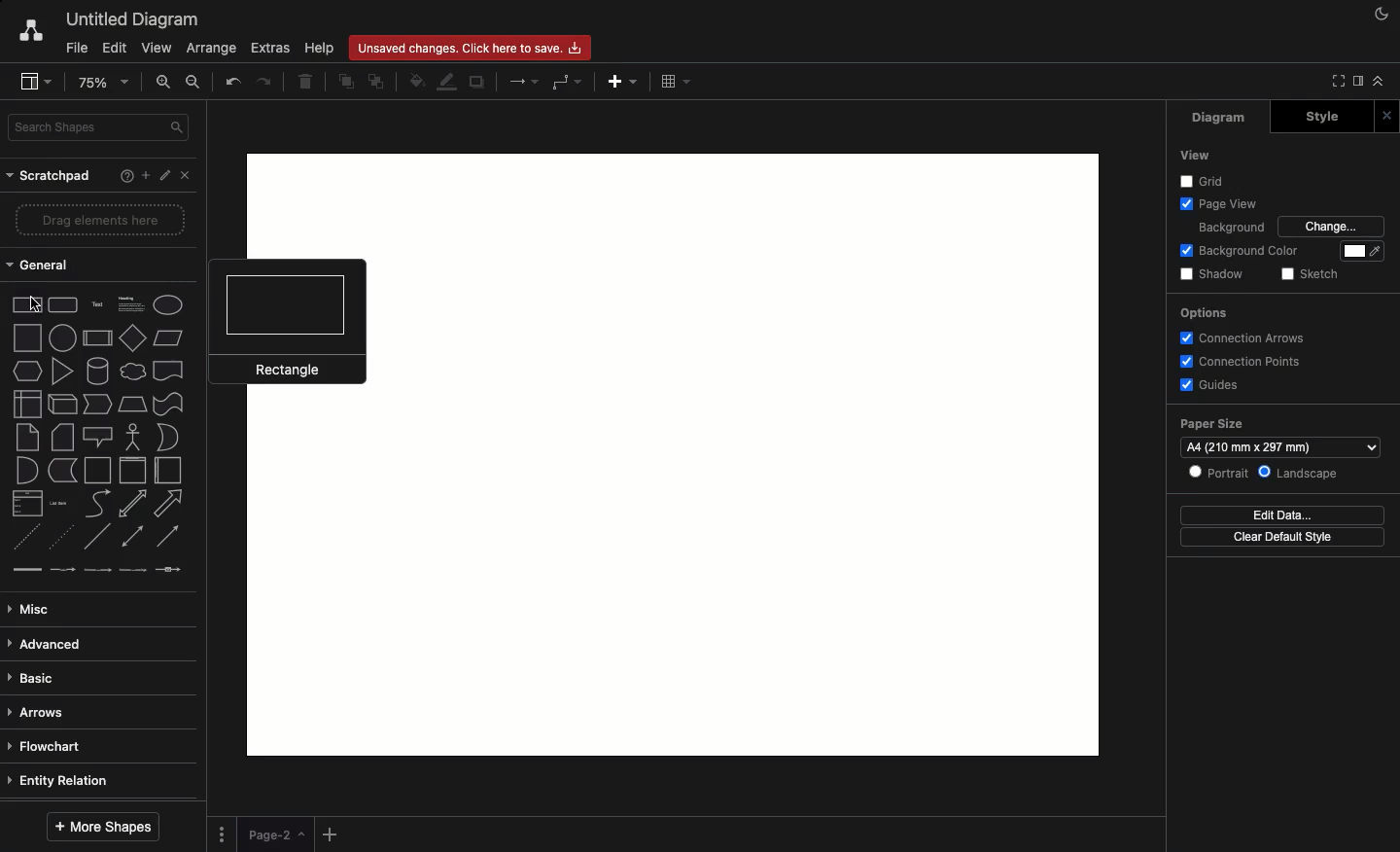 This screenshot has height=852, width=1400. I want to click on Sketch, so click(1312, 273).